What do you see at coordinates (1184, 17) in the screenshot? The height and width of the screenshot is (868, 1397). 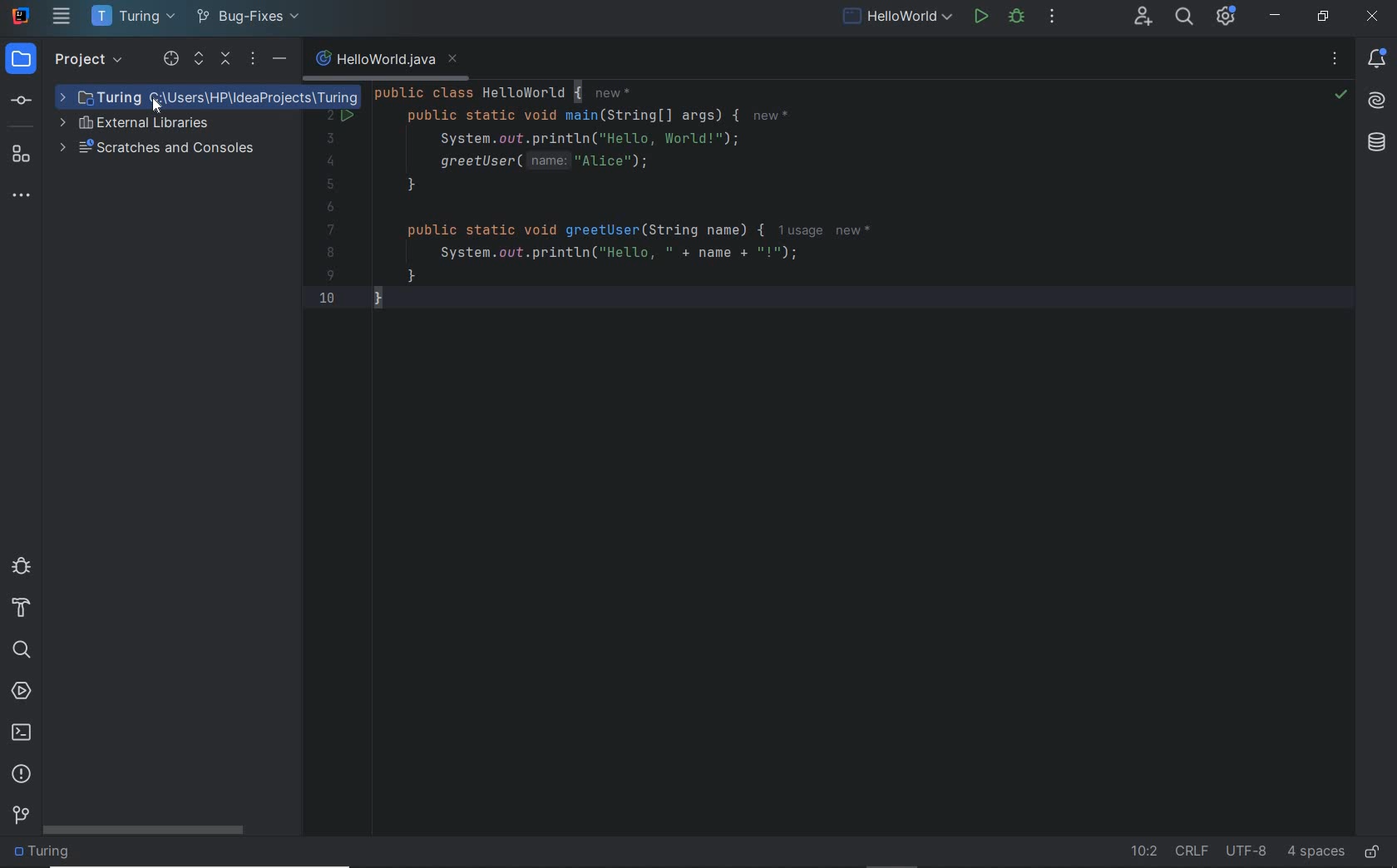 I see `search everywhere` at bounding box center [1184, 17].